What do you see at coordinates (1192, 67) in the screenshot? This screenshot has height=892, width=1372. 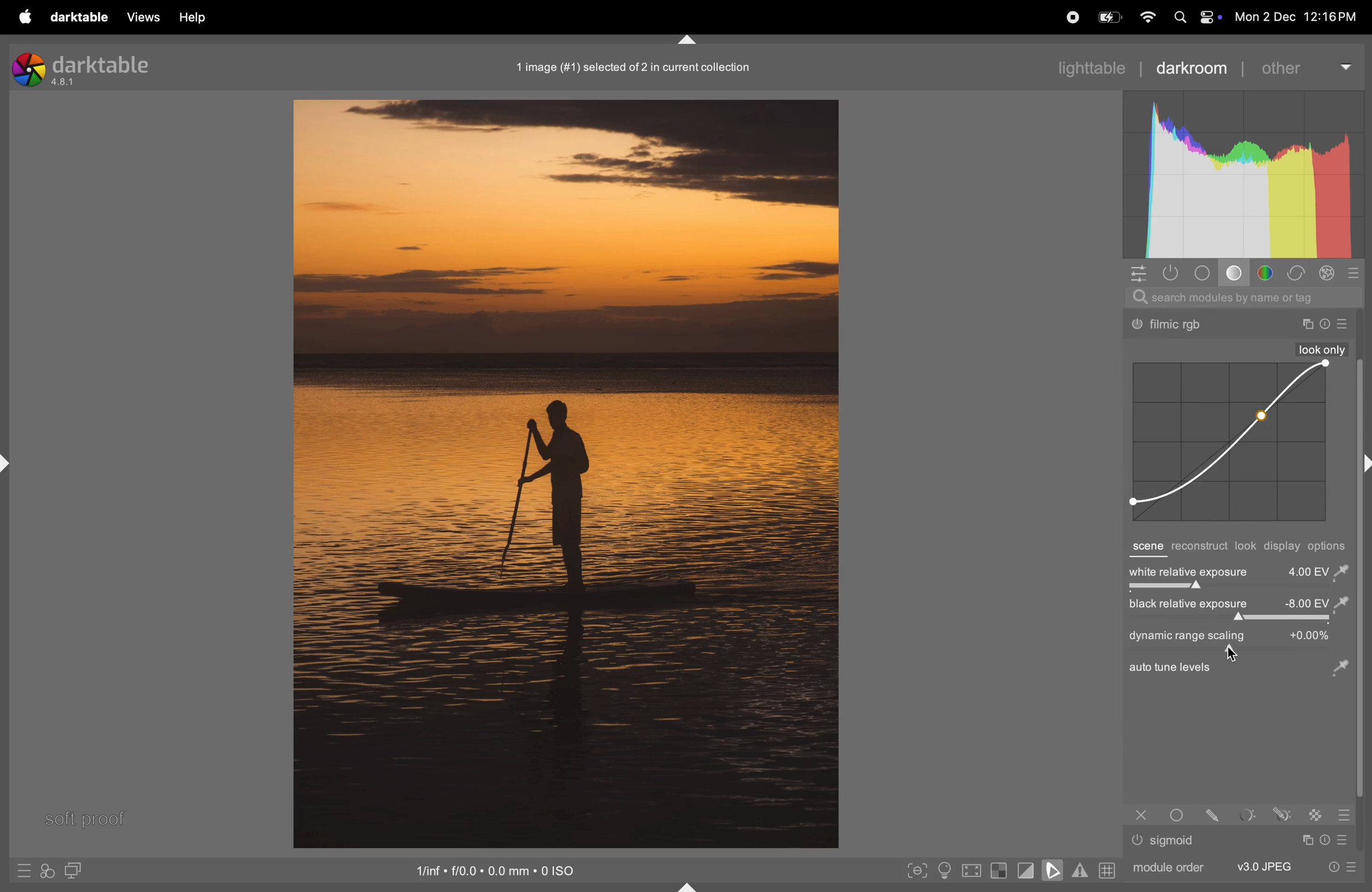 I see `darkroom` at bounding box center [1192, 67].